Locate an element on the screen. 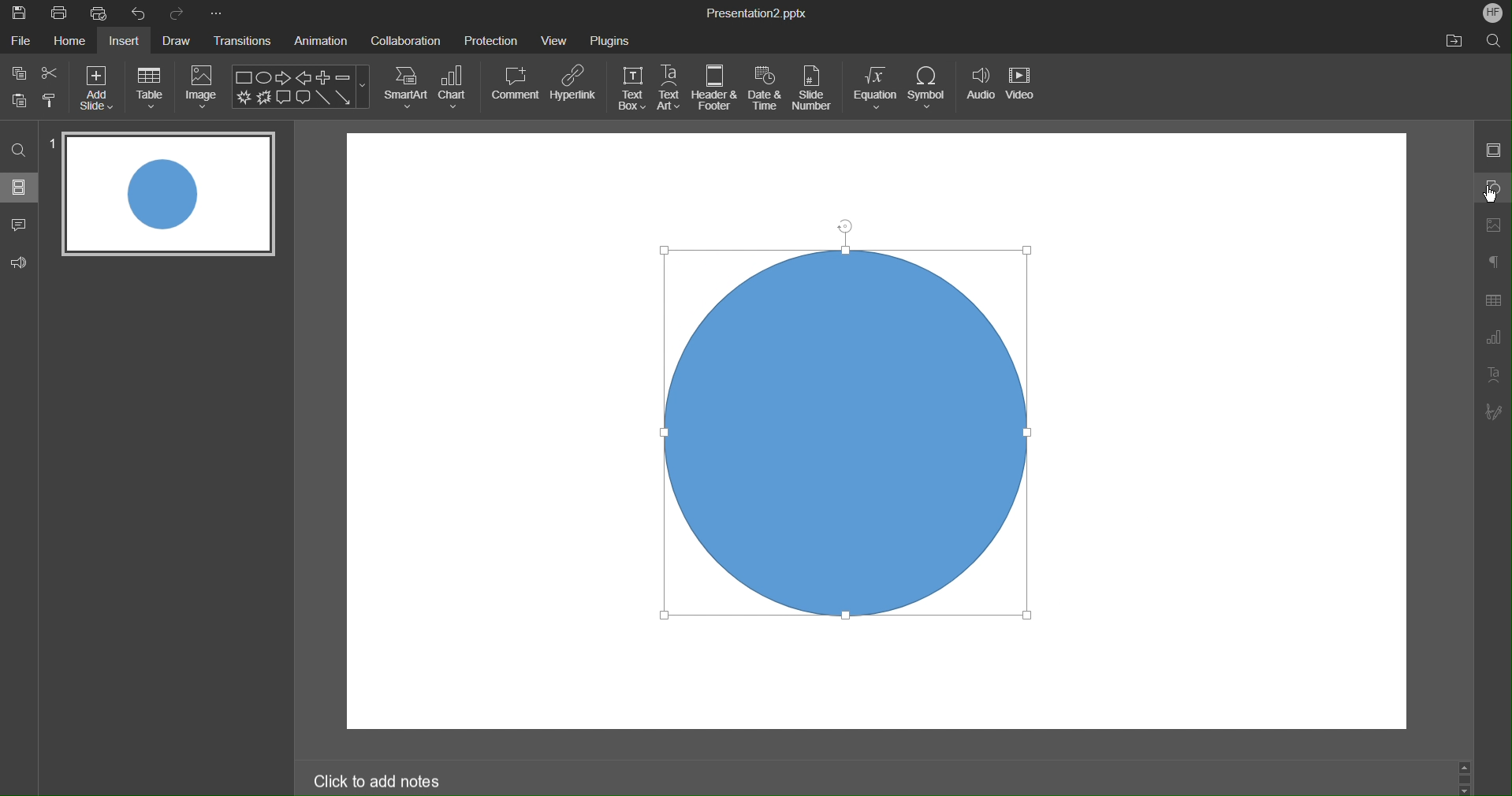 The width and height of the screenshot is (1512, 796). Sildes is located at coordinates (20, 187).